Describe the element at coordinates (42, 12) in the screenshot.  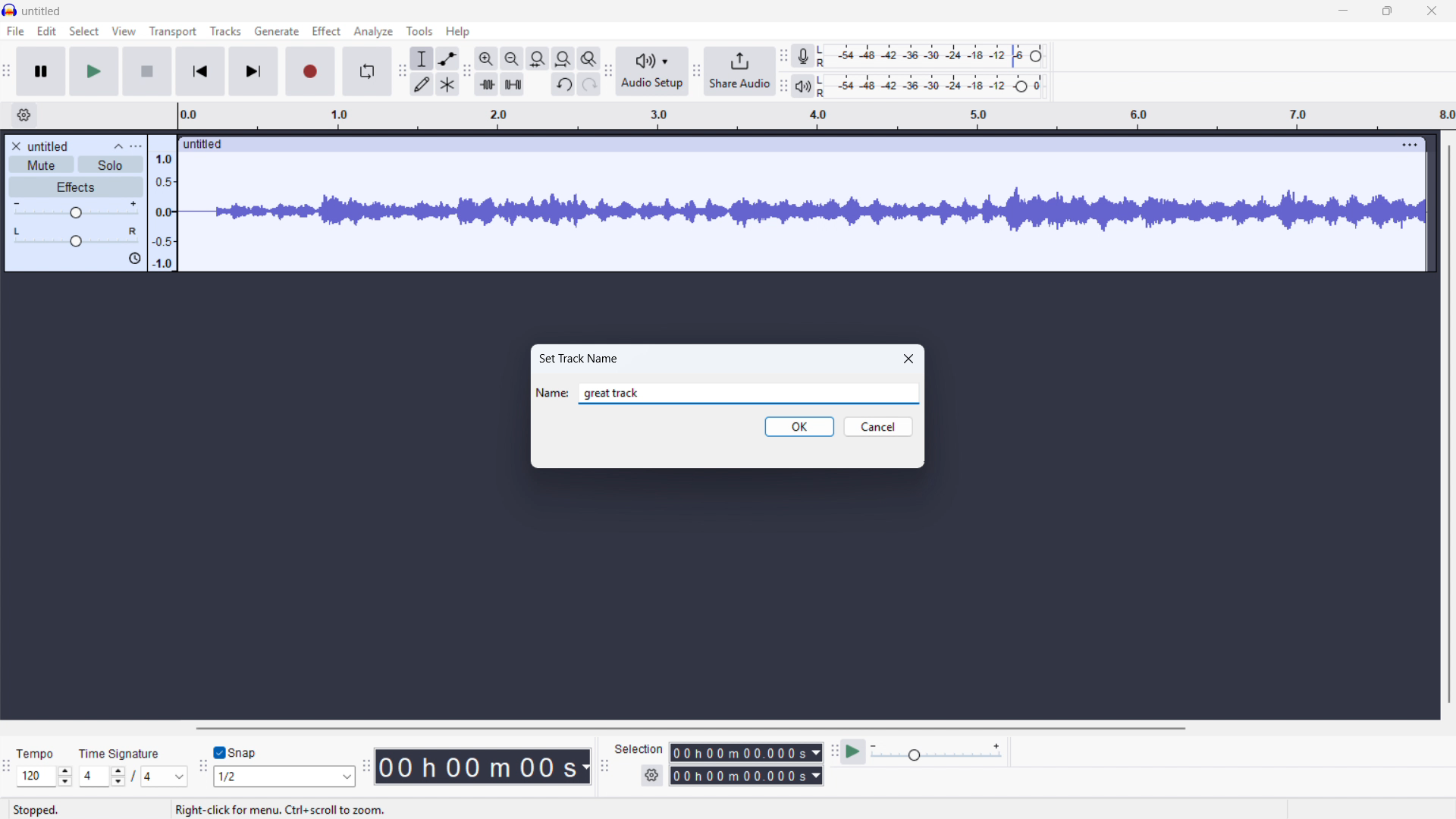
I see `untitled` at that location.